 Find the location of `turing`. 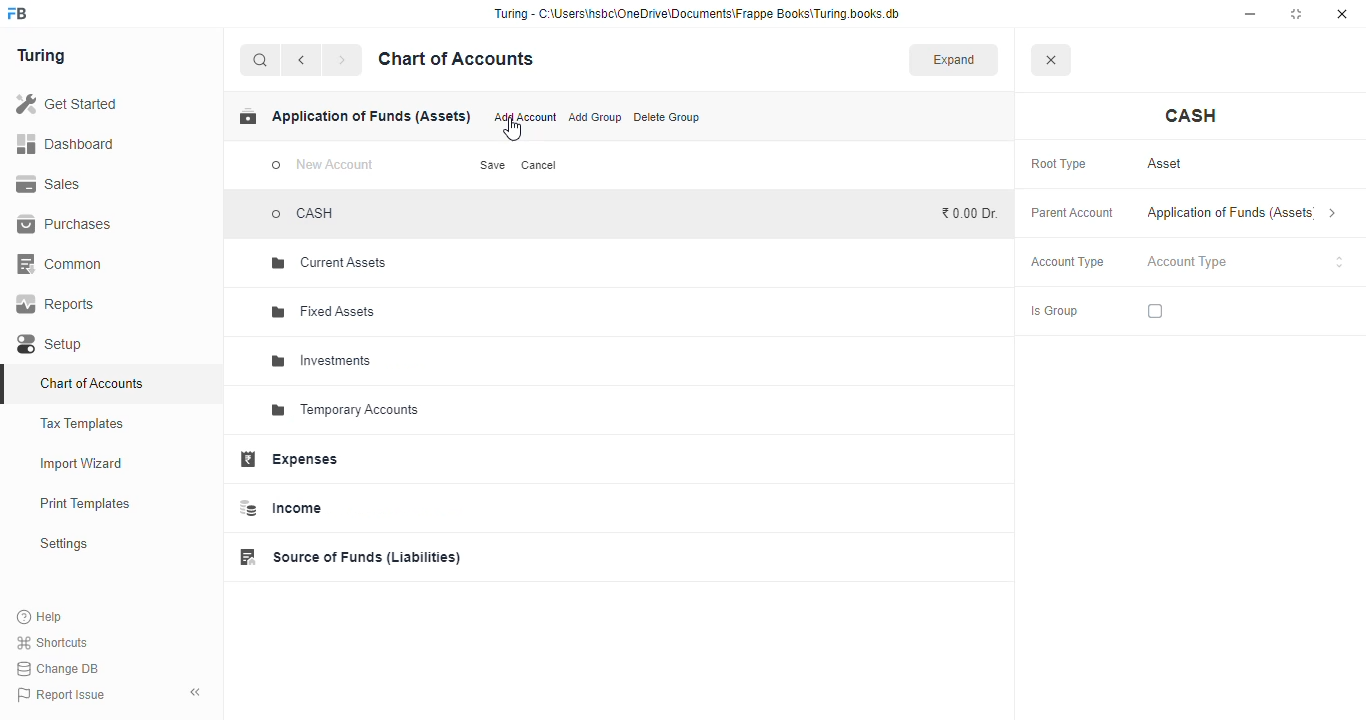

turing is located at coordinates (40, 56).